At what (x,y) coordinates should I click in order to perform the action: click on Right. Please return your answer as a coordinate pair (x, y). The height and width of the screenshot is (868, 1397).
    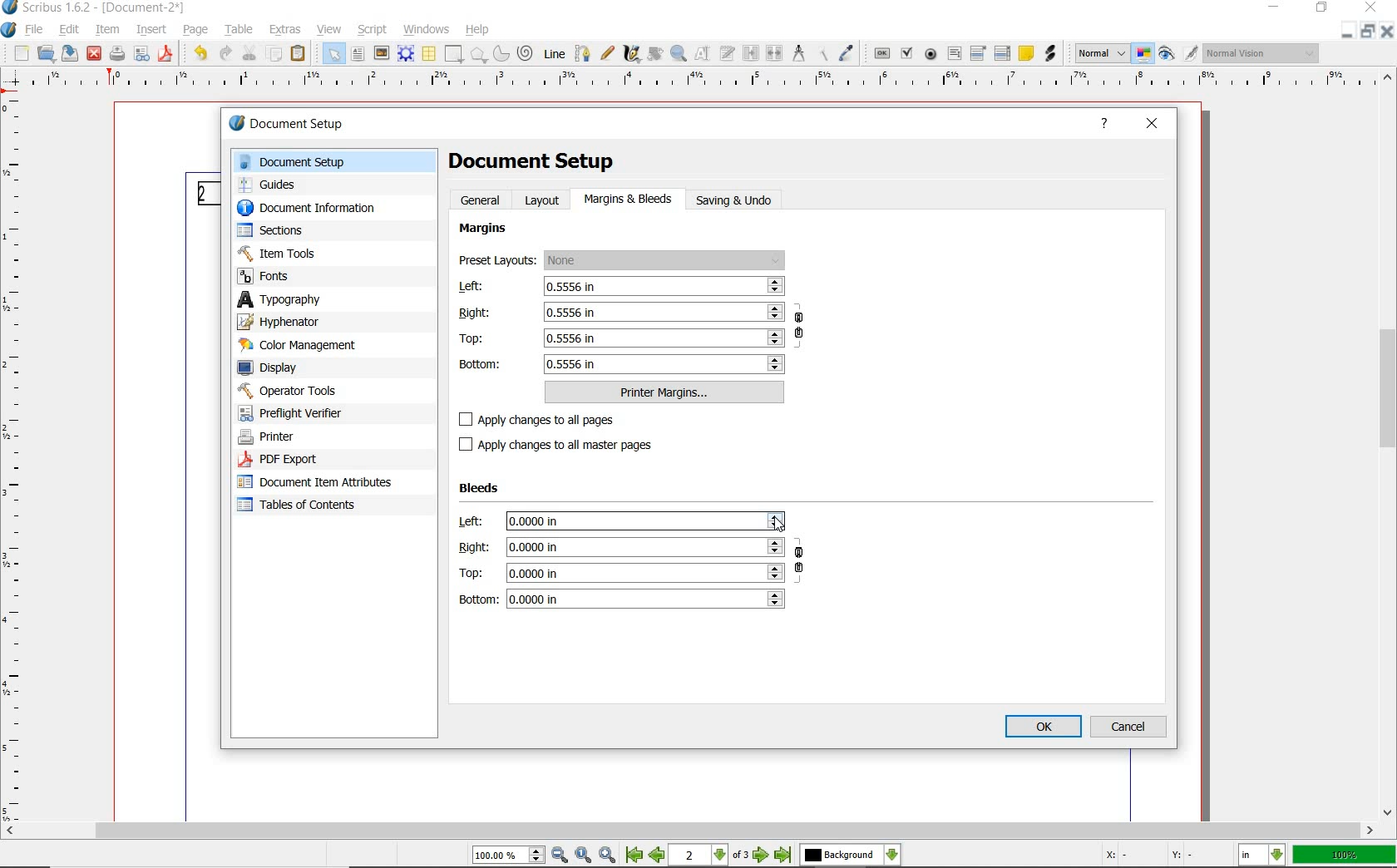
    Looking at the image, I should click on (621, 311).